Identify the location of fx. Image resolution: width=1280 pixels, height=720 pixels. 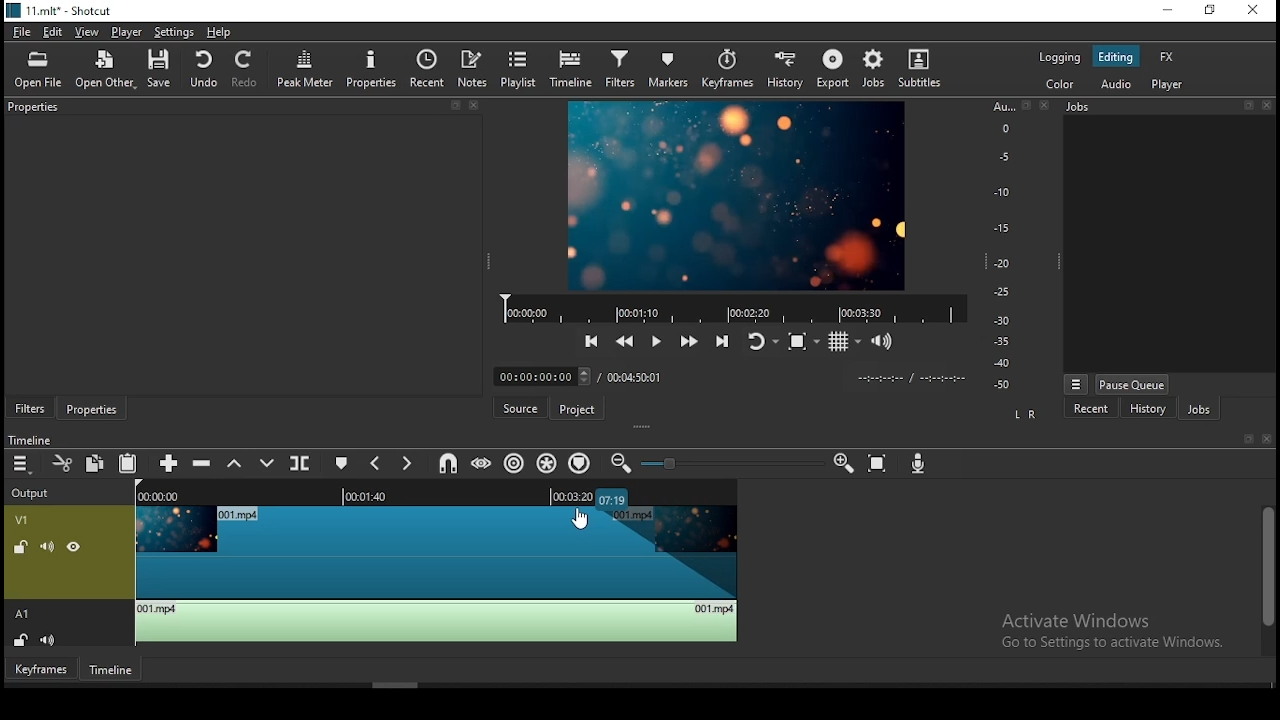
(1166, 56).